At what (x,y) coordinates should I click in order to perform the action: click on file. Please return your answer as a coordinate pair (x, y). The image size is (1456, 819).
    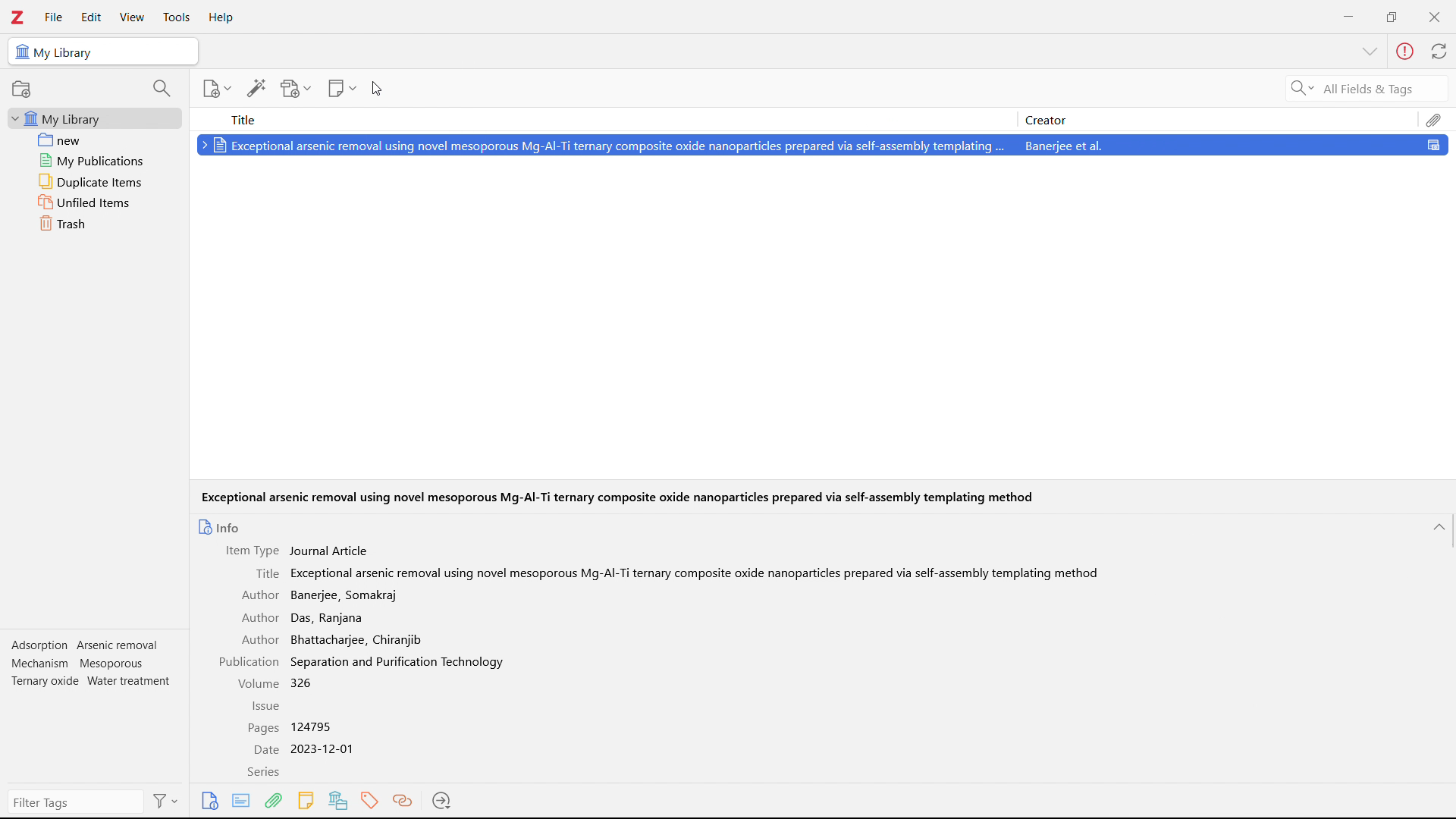
    Looking at the image, I should click on (54, 17).